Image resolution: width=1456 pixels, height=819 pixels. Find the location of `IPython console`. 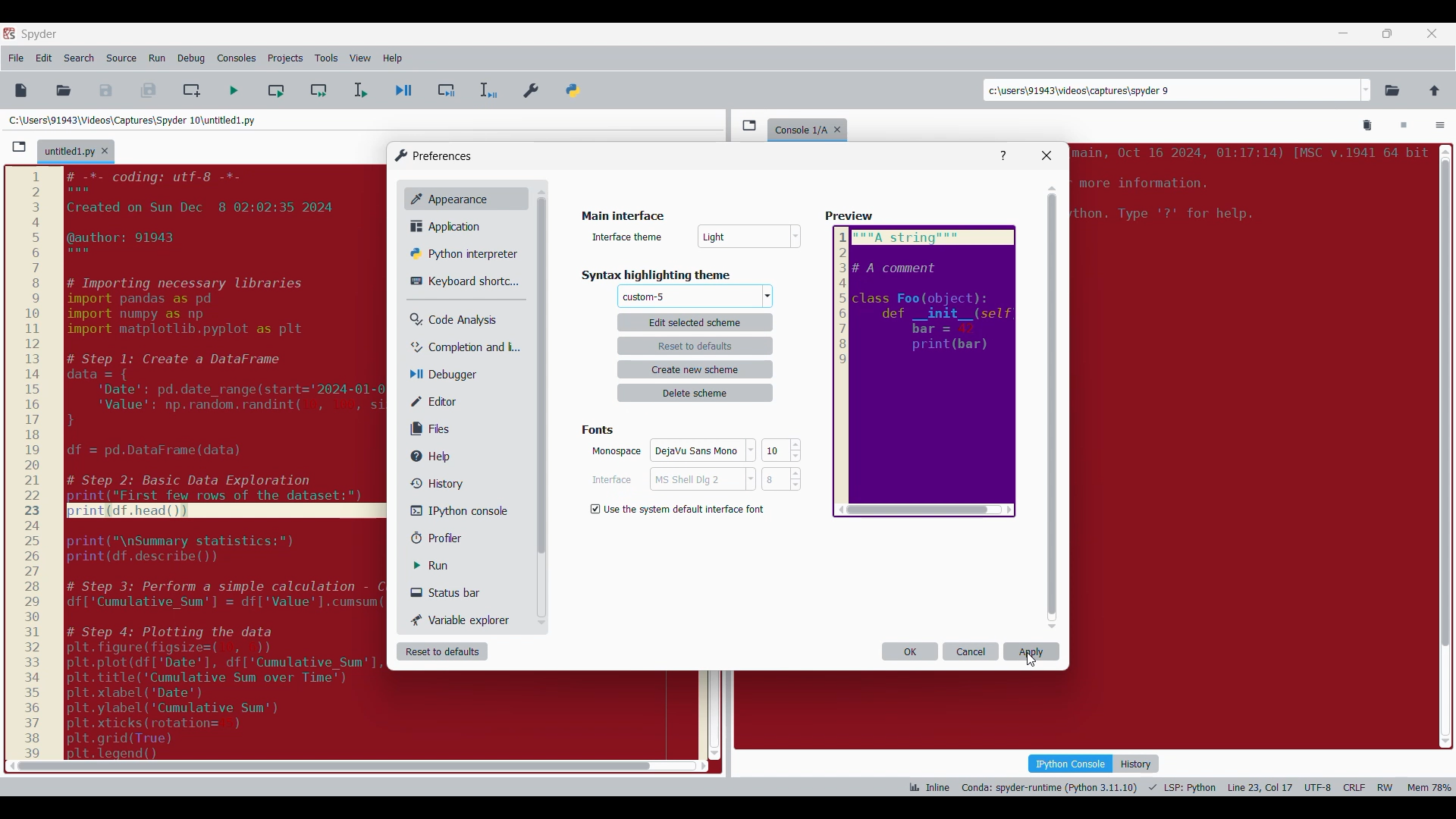

IPython console is located at coordinates (454, 510).